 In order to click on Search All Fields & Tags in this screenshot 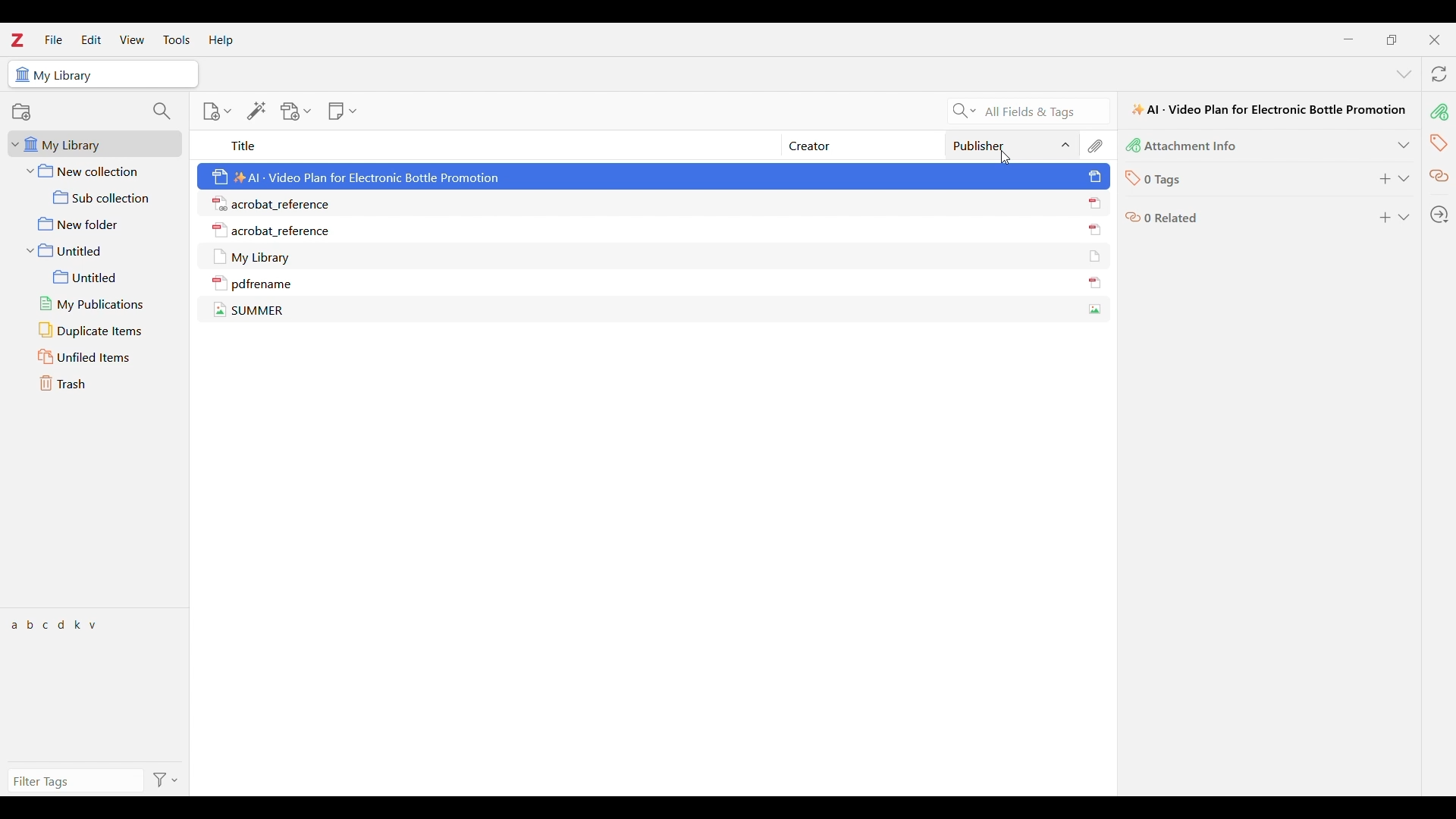, I will do `click(1046, 111)`.